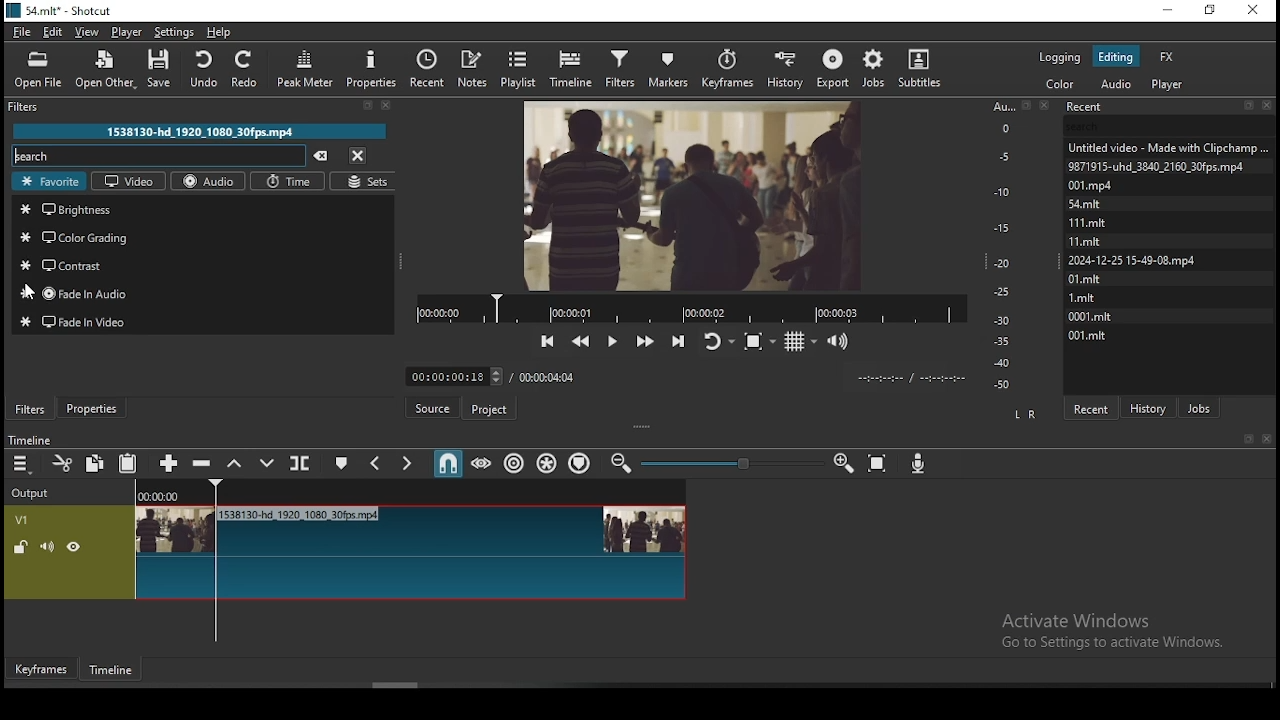  What do you see at coordinates (1270, 439) in the screenshot?
I see `Close` at bounding box center [1270, 439].